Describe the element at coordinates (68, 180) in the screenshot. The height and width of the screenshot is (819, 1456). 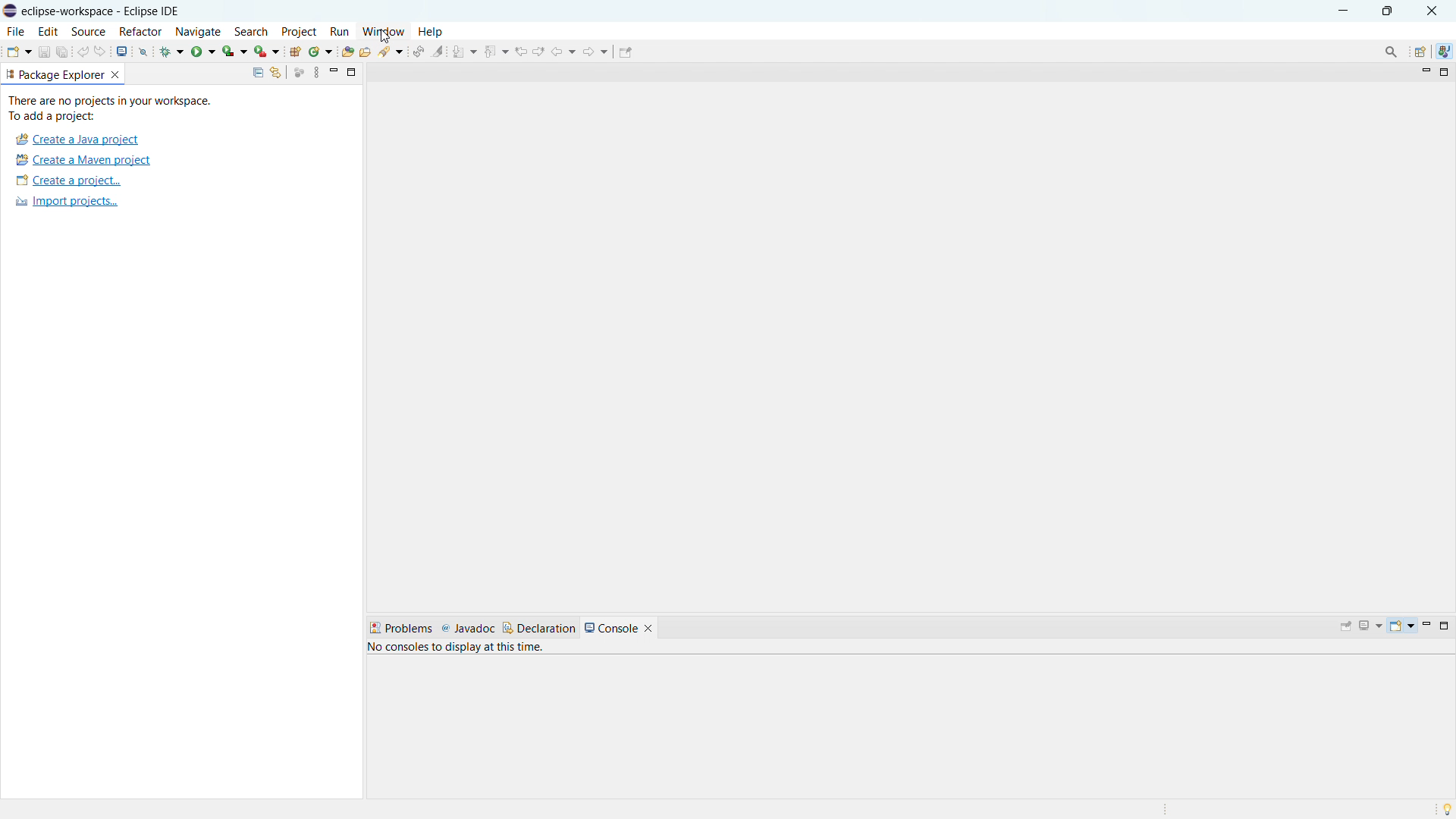
I see `create a project` at that location.